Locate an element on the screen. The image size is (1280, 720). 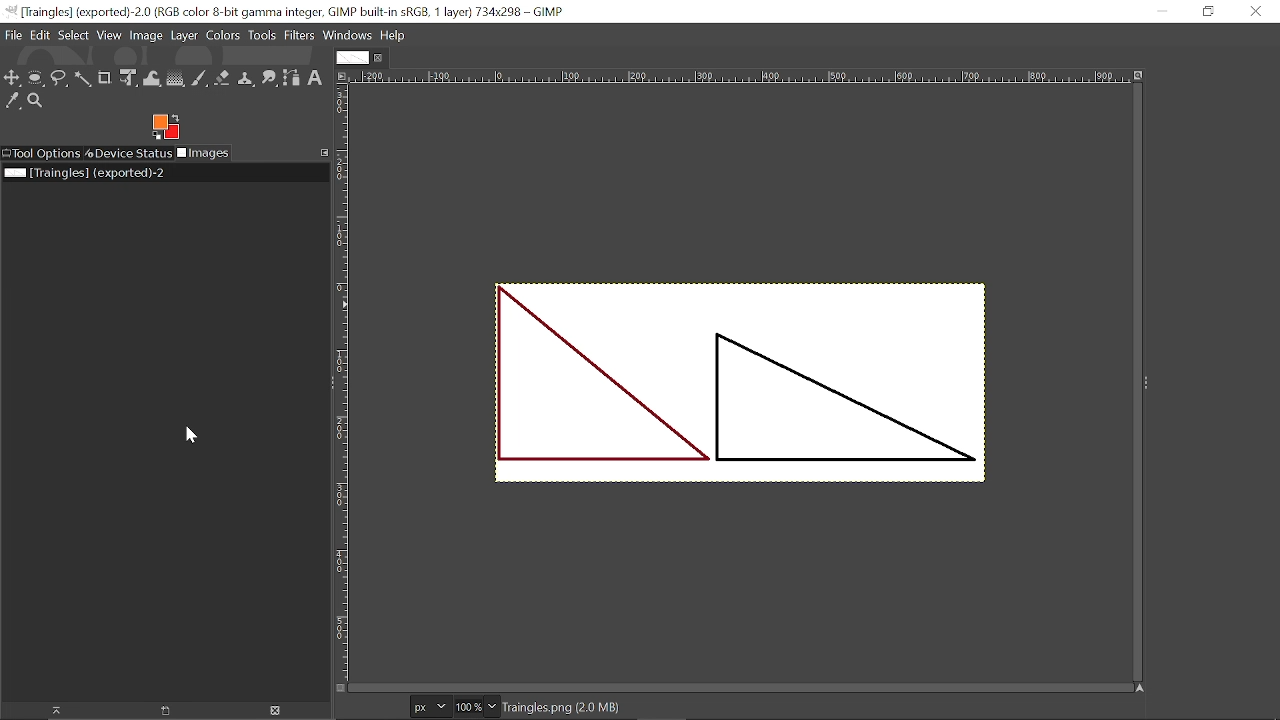
Colors is located at coordinates (224, 37).